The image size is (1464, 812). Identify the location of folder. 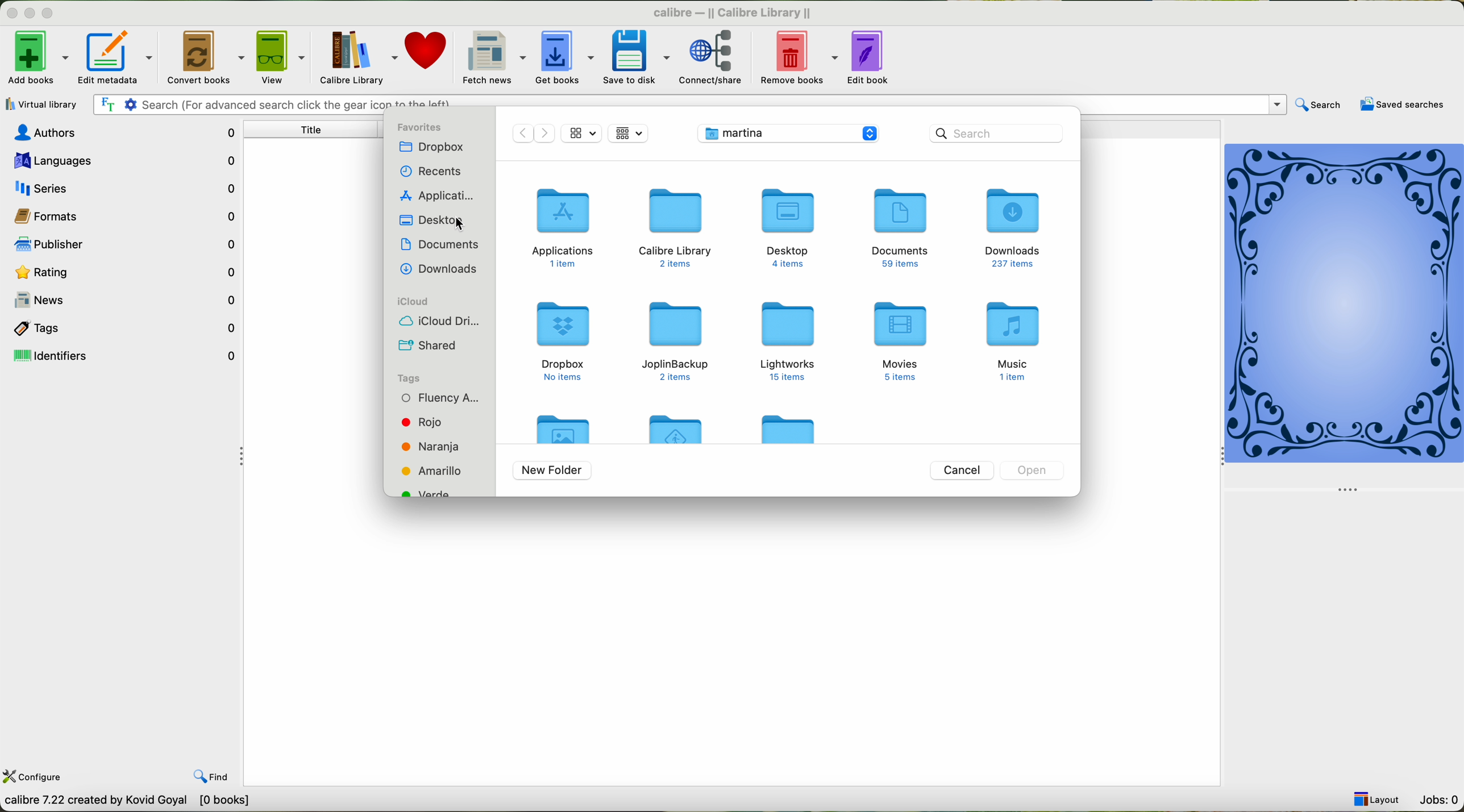
(566, 424).